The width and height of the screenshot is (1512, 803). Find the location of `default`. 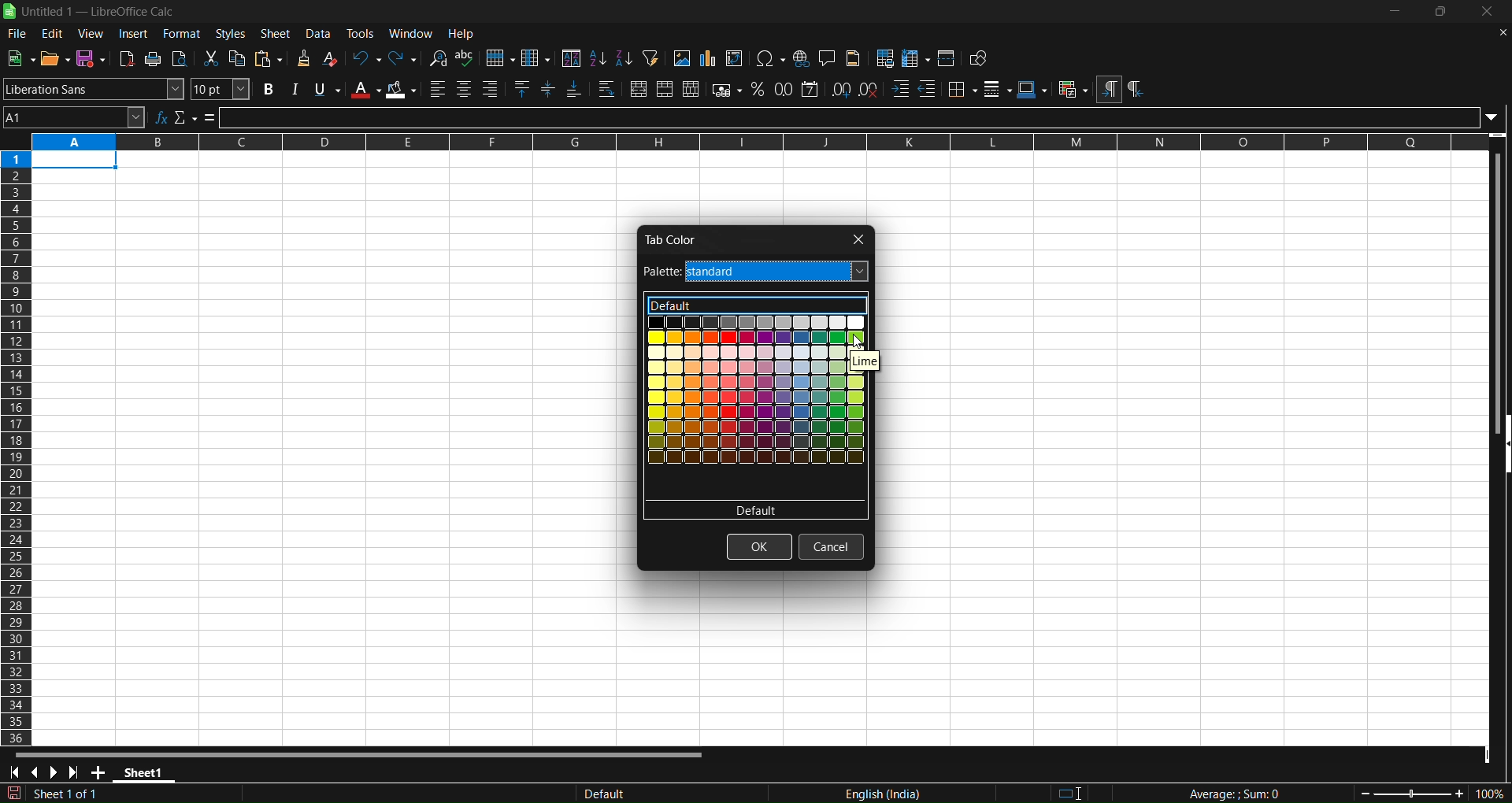

default is located at coordinates (755, 510).